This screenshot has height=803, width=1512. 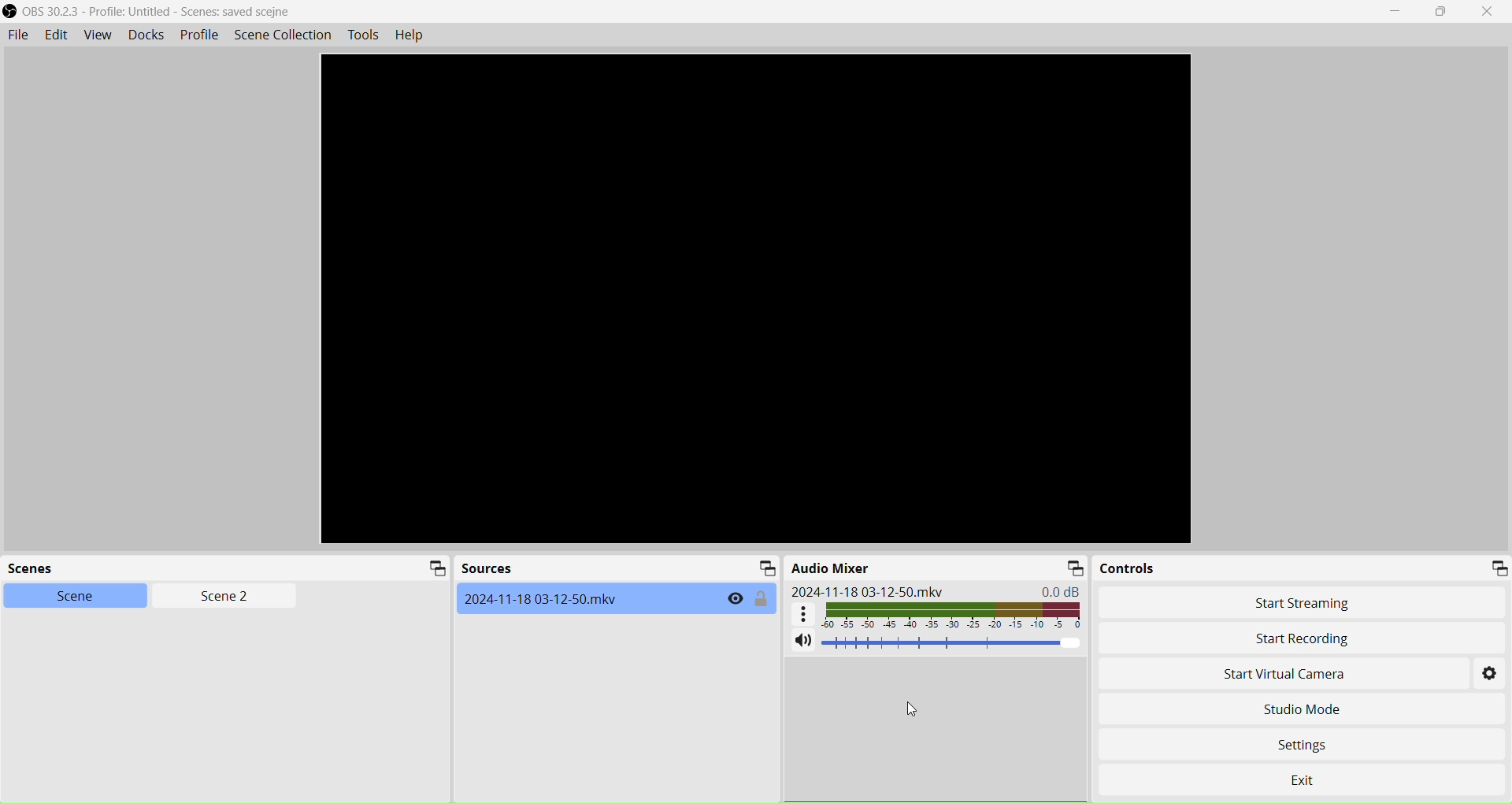 I want to click on Audio graph, so click(x=938, y=614).